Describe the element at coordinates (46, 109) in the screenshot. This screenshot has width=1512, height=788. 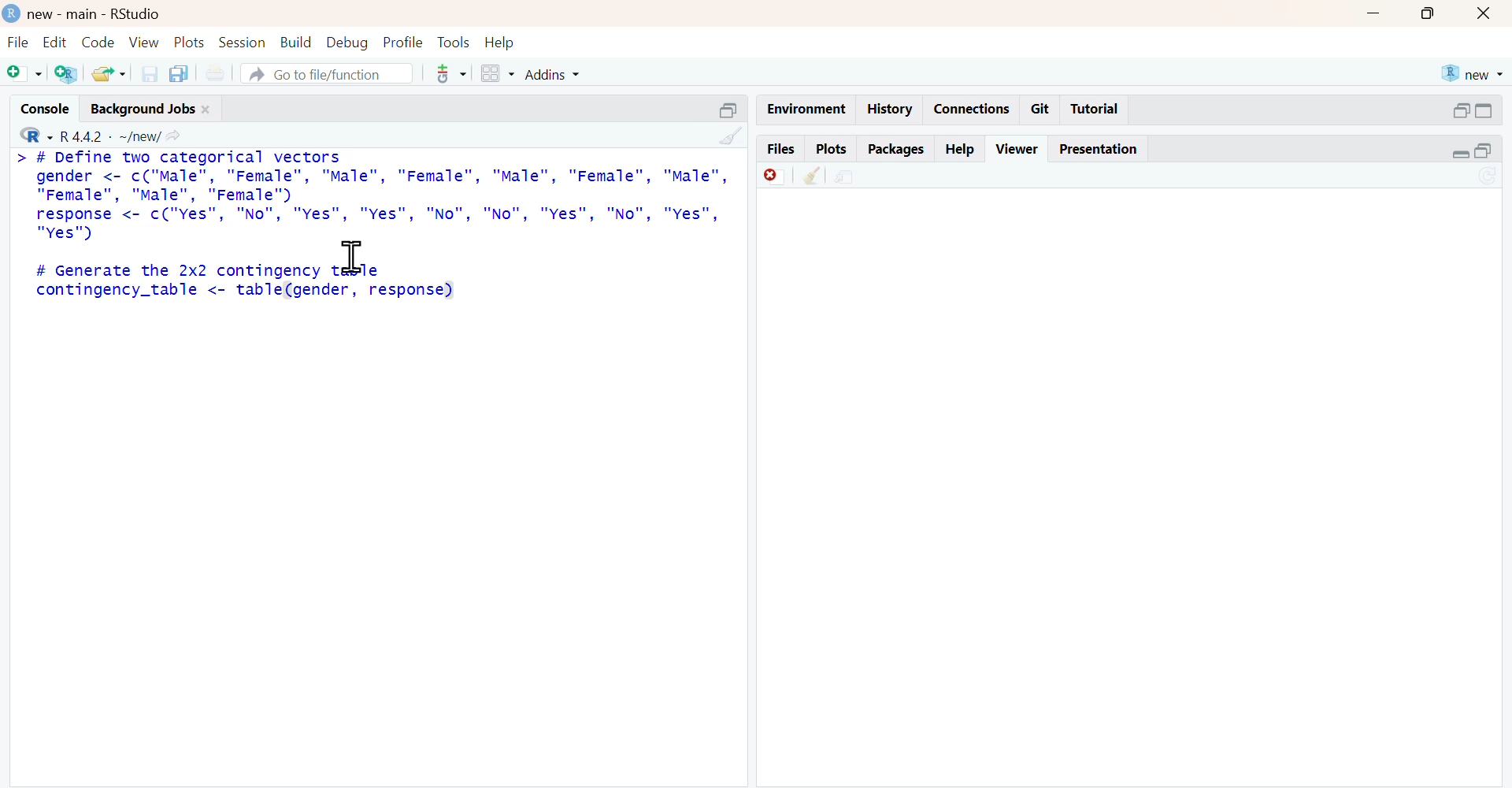
I see `console` at that location.